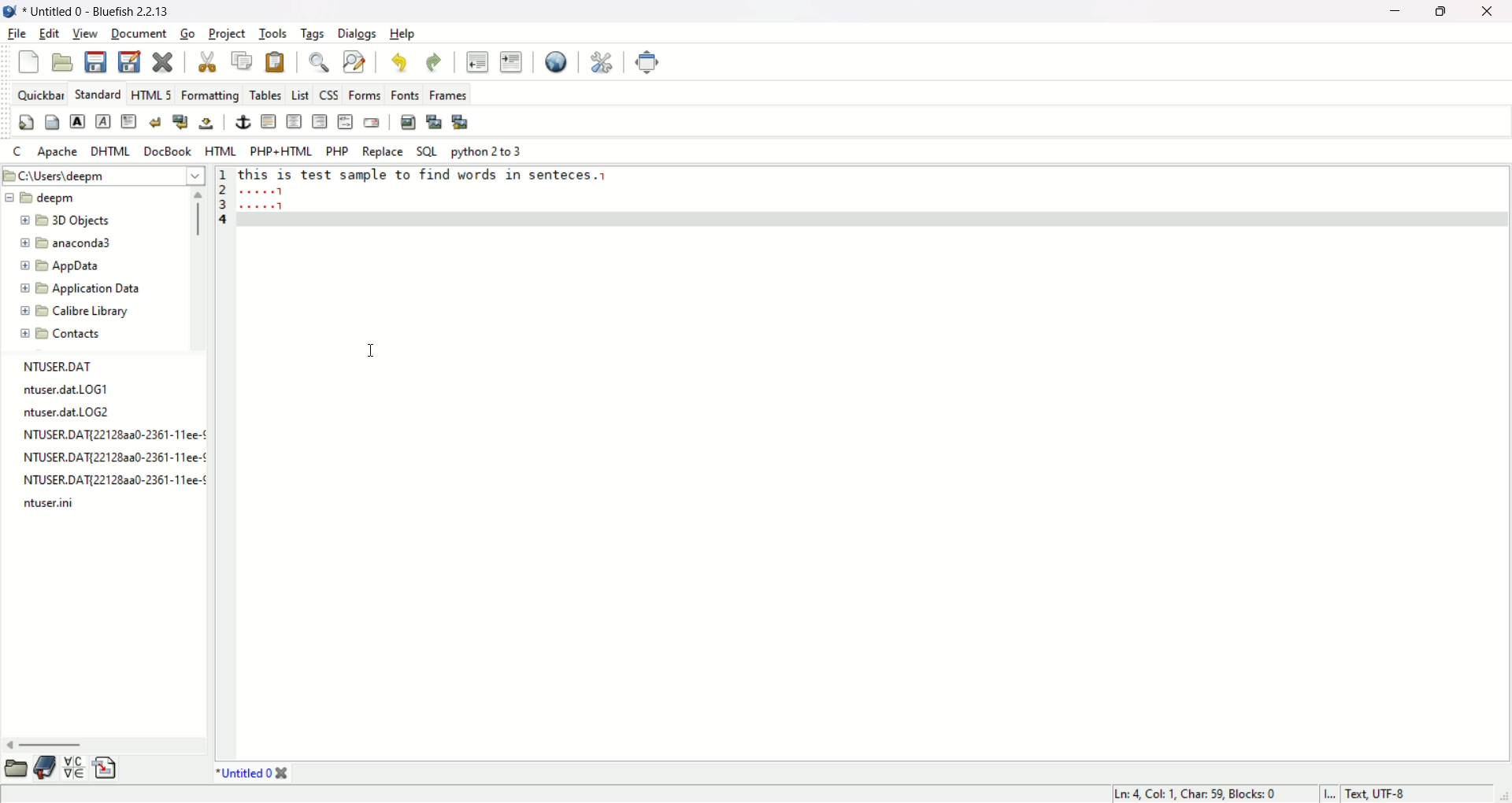 The height and width of the screenshot is (803, 1512). What do you see at coordinates (1377, 794) in the screenshot?
I see `Text, UTF-8` at bounding box center [1377, 794].